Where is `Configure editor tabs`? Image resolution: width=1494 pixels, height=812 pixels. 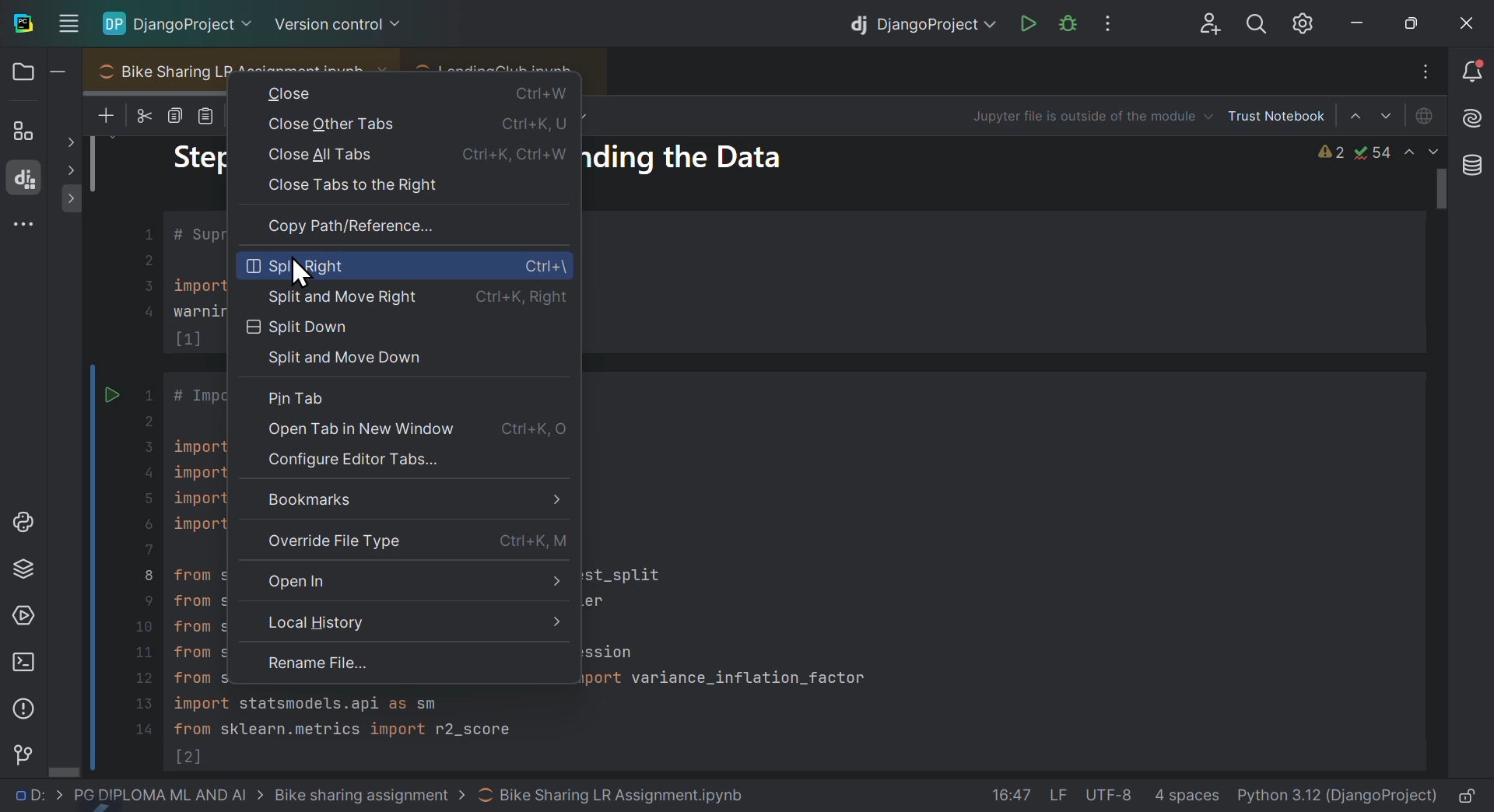
Configure editor tabs is located at coordinates (371, 460).